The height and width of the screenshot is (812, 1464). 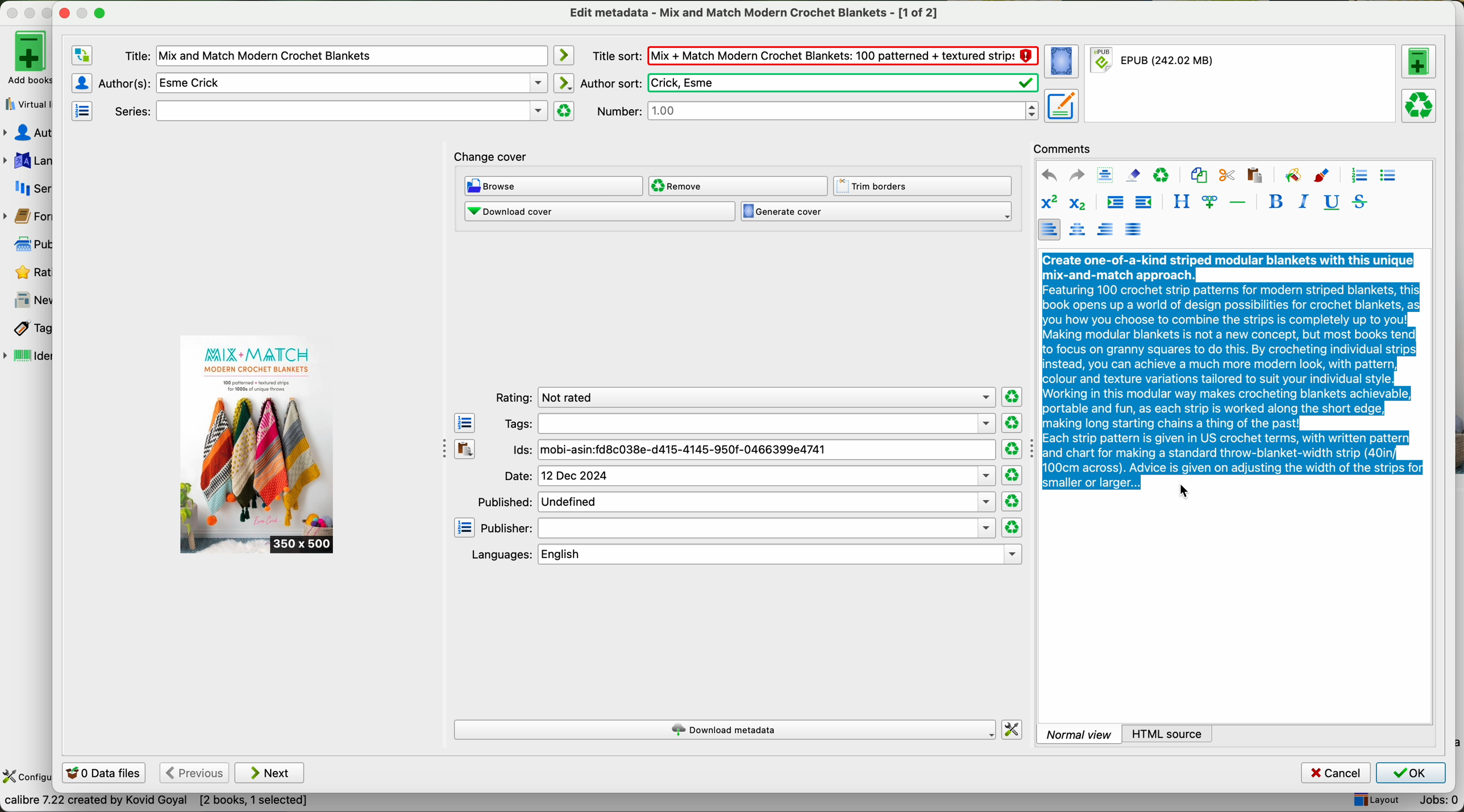 What do you see at coordinates (26, 101) in the screenshot?
I see `virtual library` at bounding box center [26, 101].